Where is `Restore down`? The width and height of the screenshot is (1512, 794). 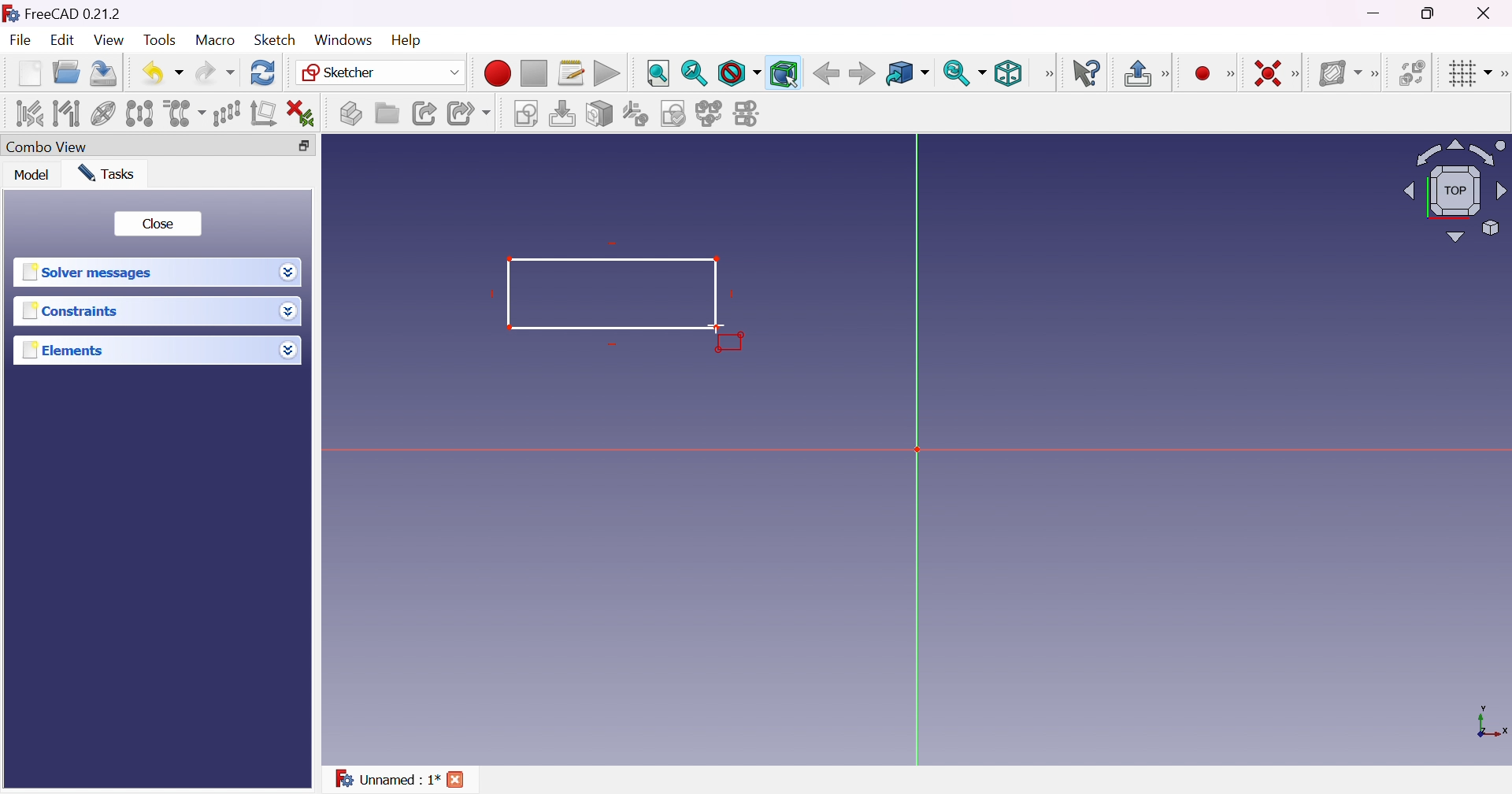
Restore down is located at coordinates (304, 146).